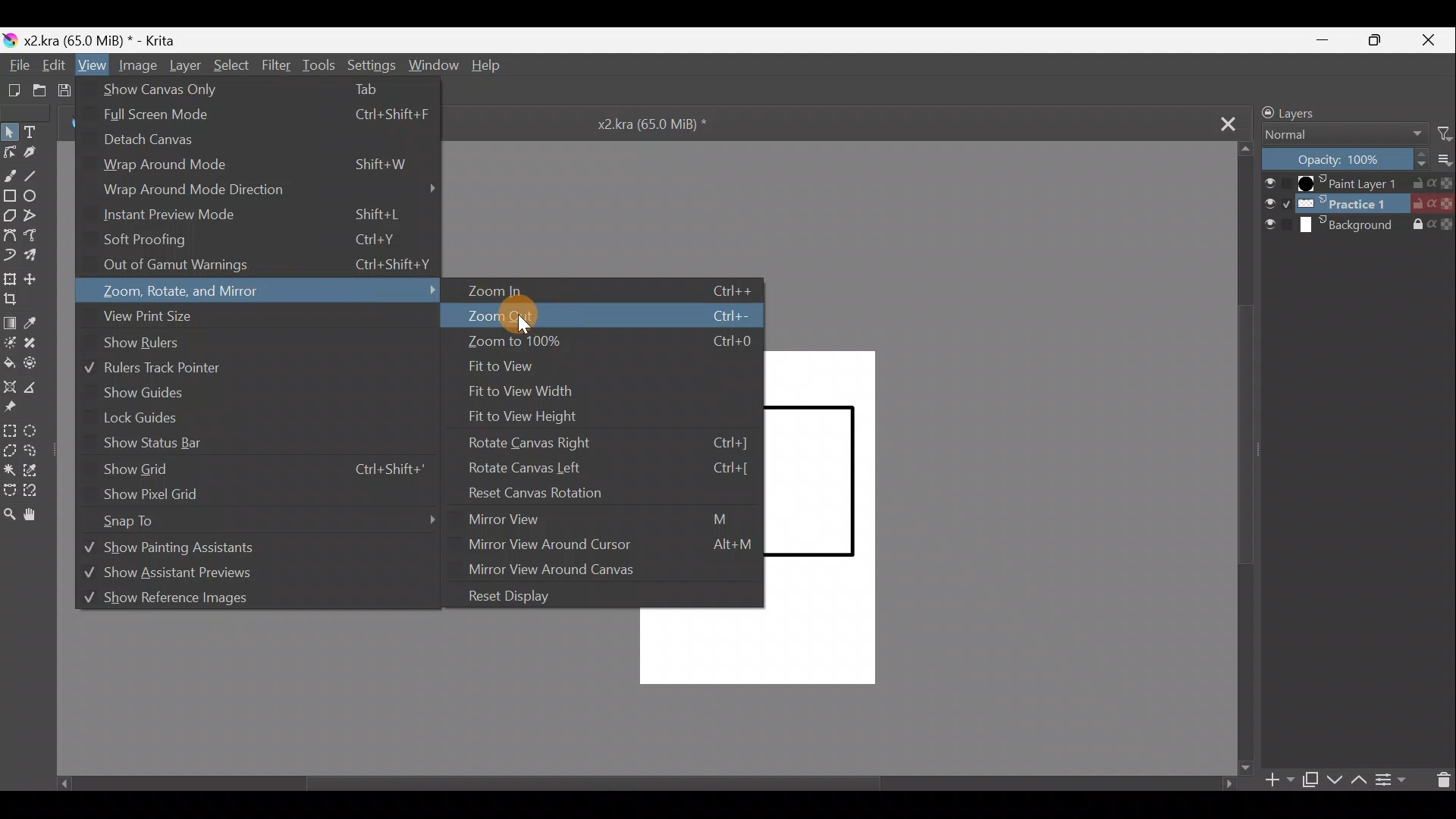 This screenshot has width=1456, height=819. Describe the element at coordinates (38, 488) in the screenshot. I see `Magnetic curve selection tool` at that location.